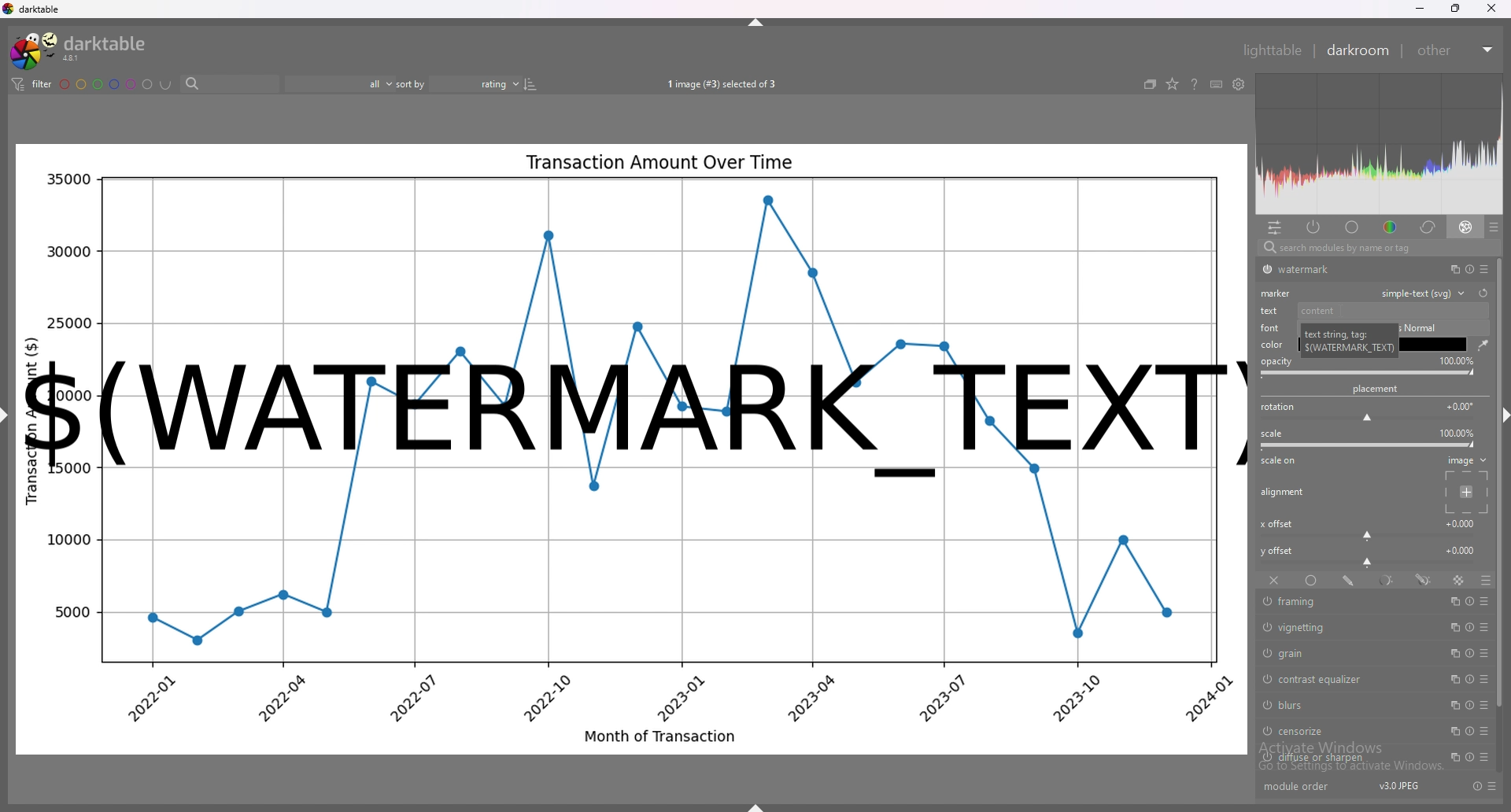  Describe the element at coordinates (634, 240) in the screenshot. I see `graph` at that location.